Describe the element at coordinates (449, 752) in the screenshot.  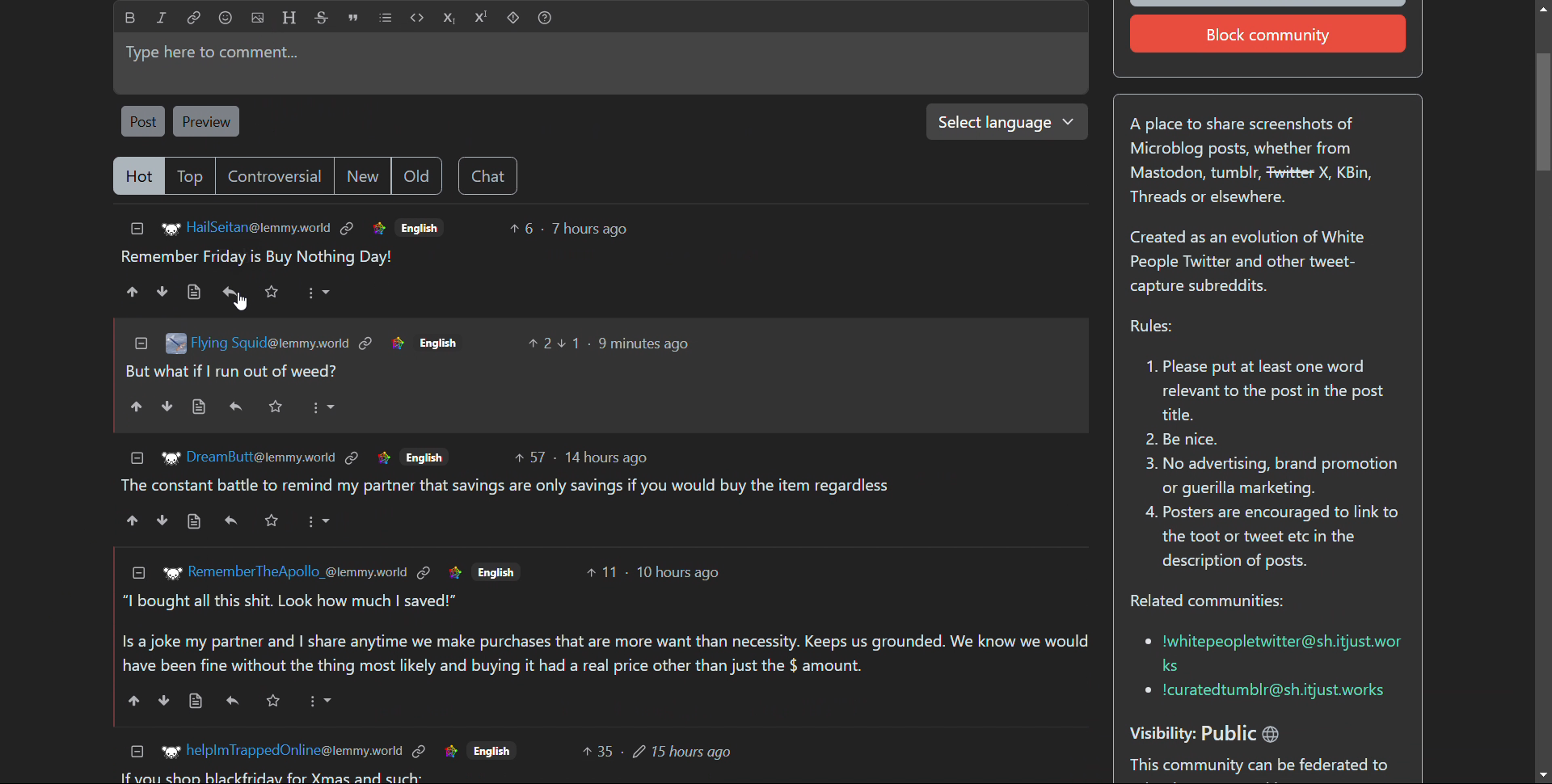
I see `link` at that location.